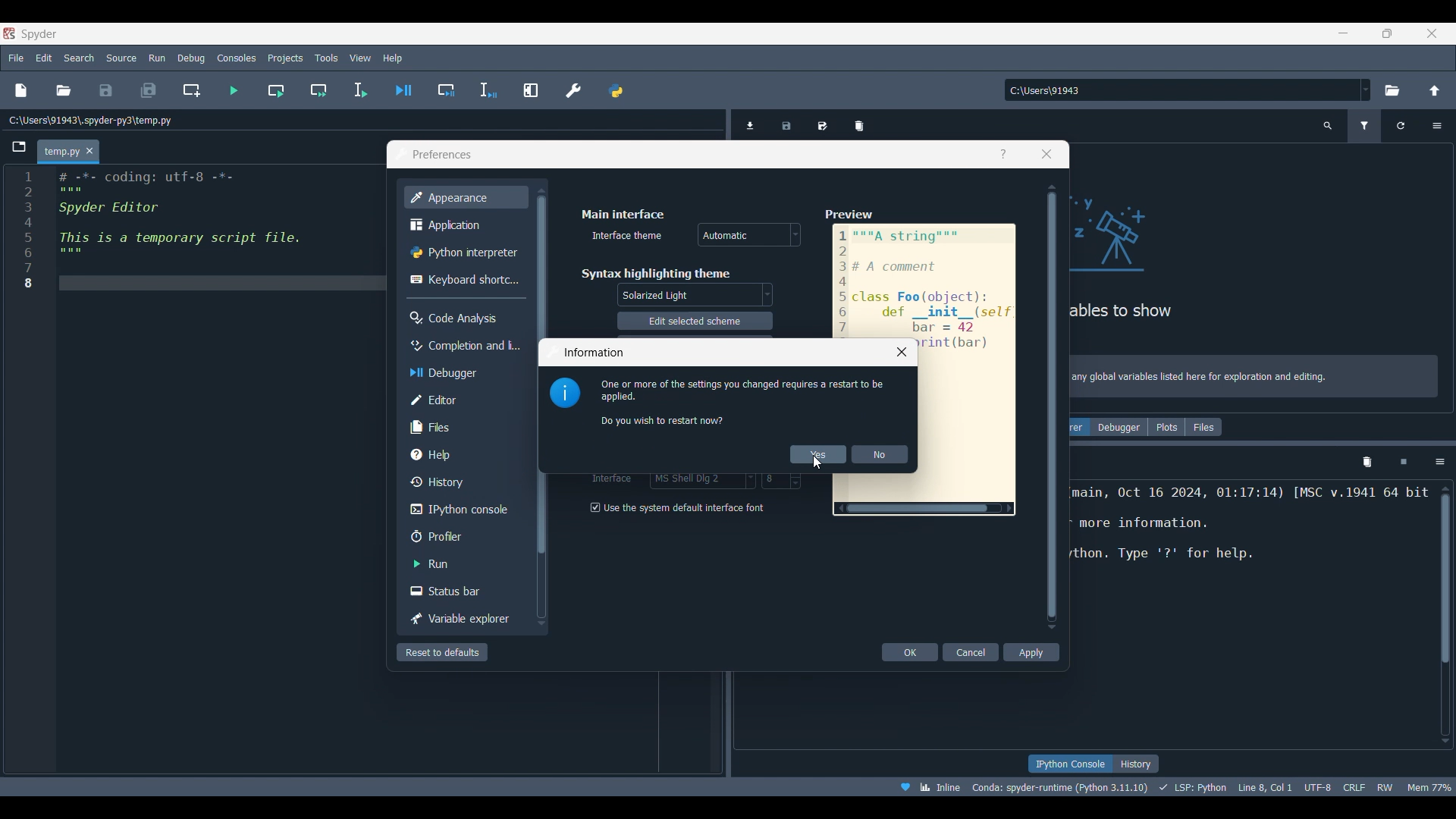  Describe the element at coordinates (859, 122) in the screenshot. I see `Remove all variables` at that location.